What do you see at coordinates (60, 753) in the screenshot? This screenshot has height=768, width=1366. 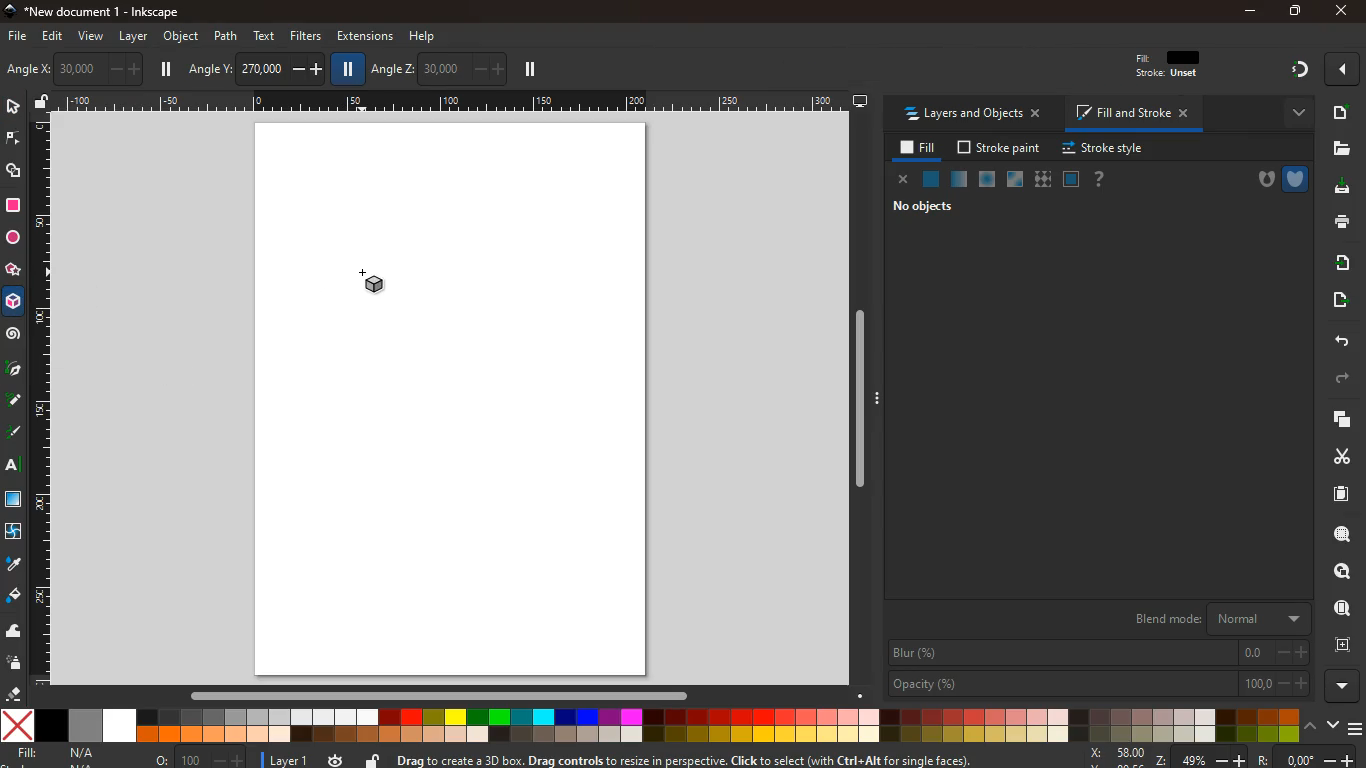 I see `fill` at bounding box center [60, 753].